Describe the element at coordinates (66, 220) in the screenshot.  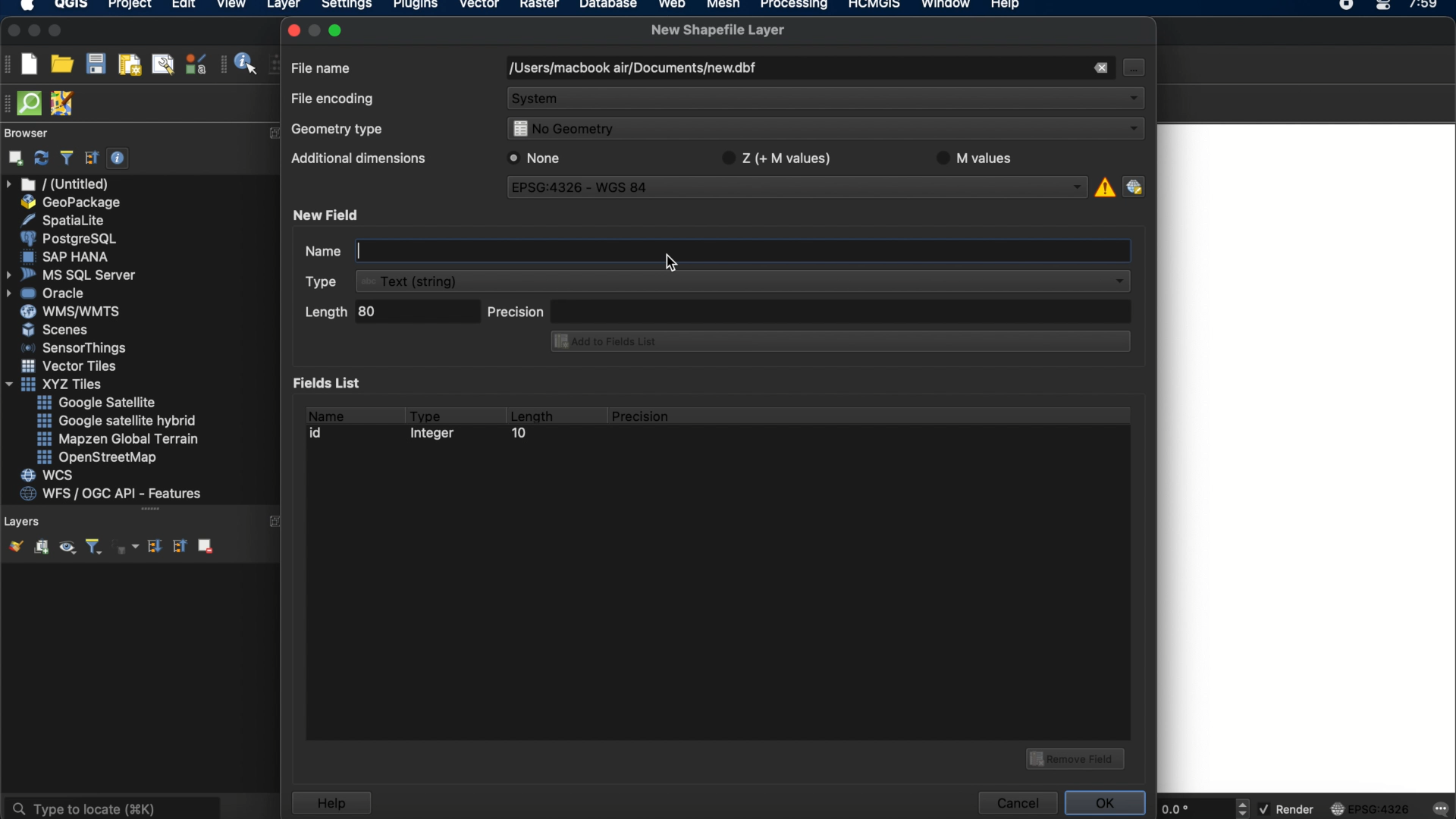
I see `spatiallite` at that location.